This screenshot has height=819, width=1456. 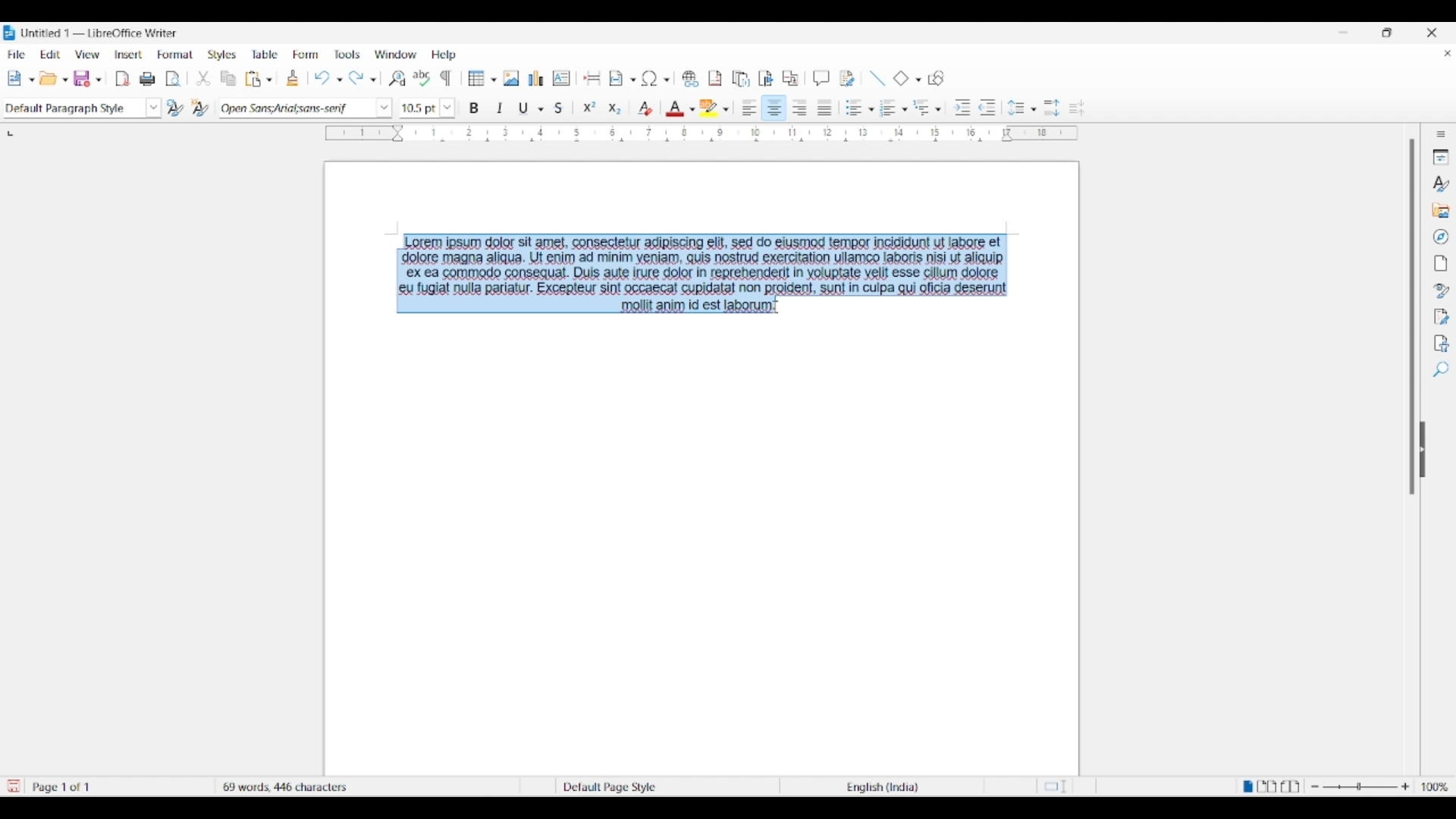 I want to click on Align left, so click(x=750, y=107).